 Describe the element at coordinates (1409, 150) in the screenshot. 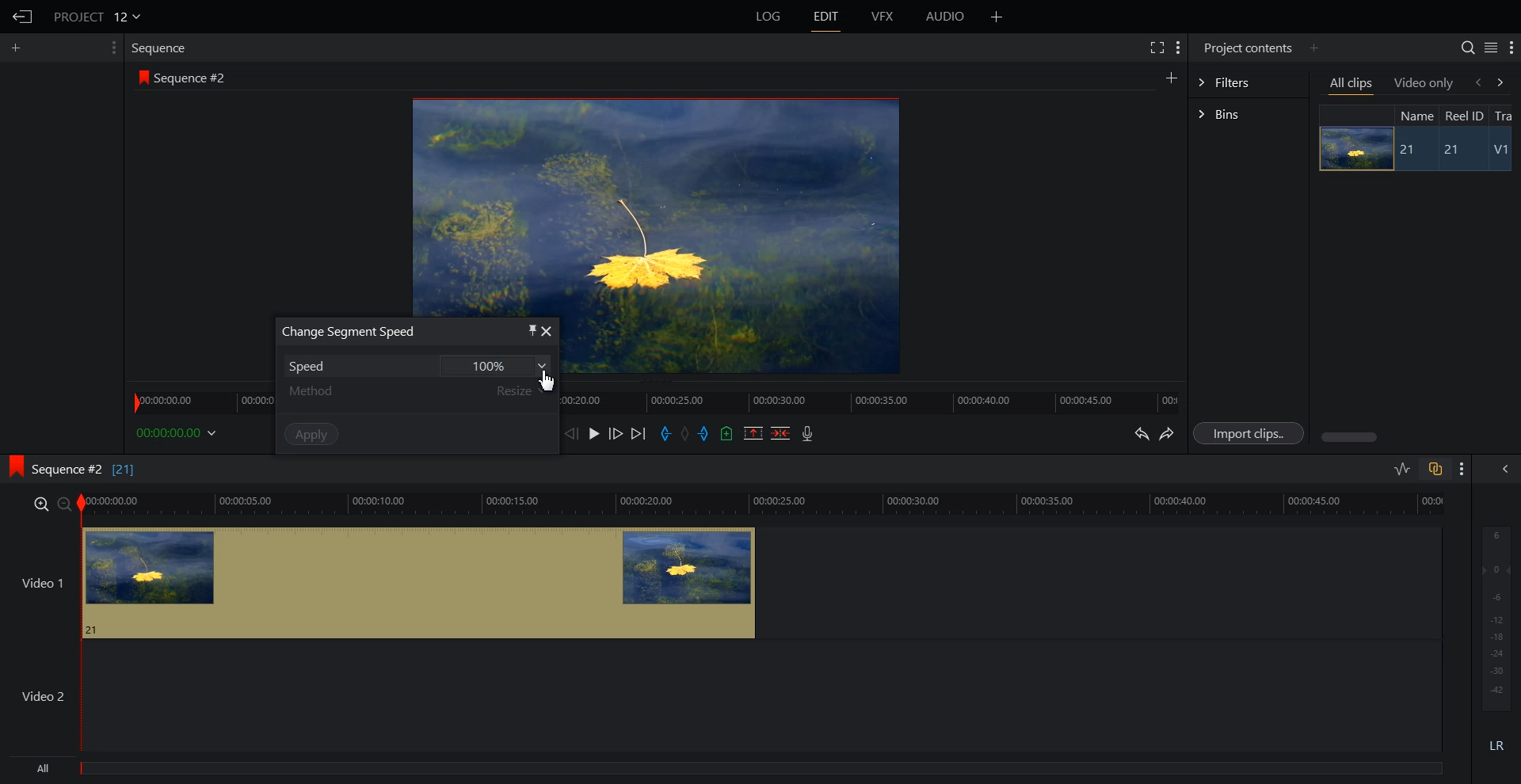

I see `21` at that location.